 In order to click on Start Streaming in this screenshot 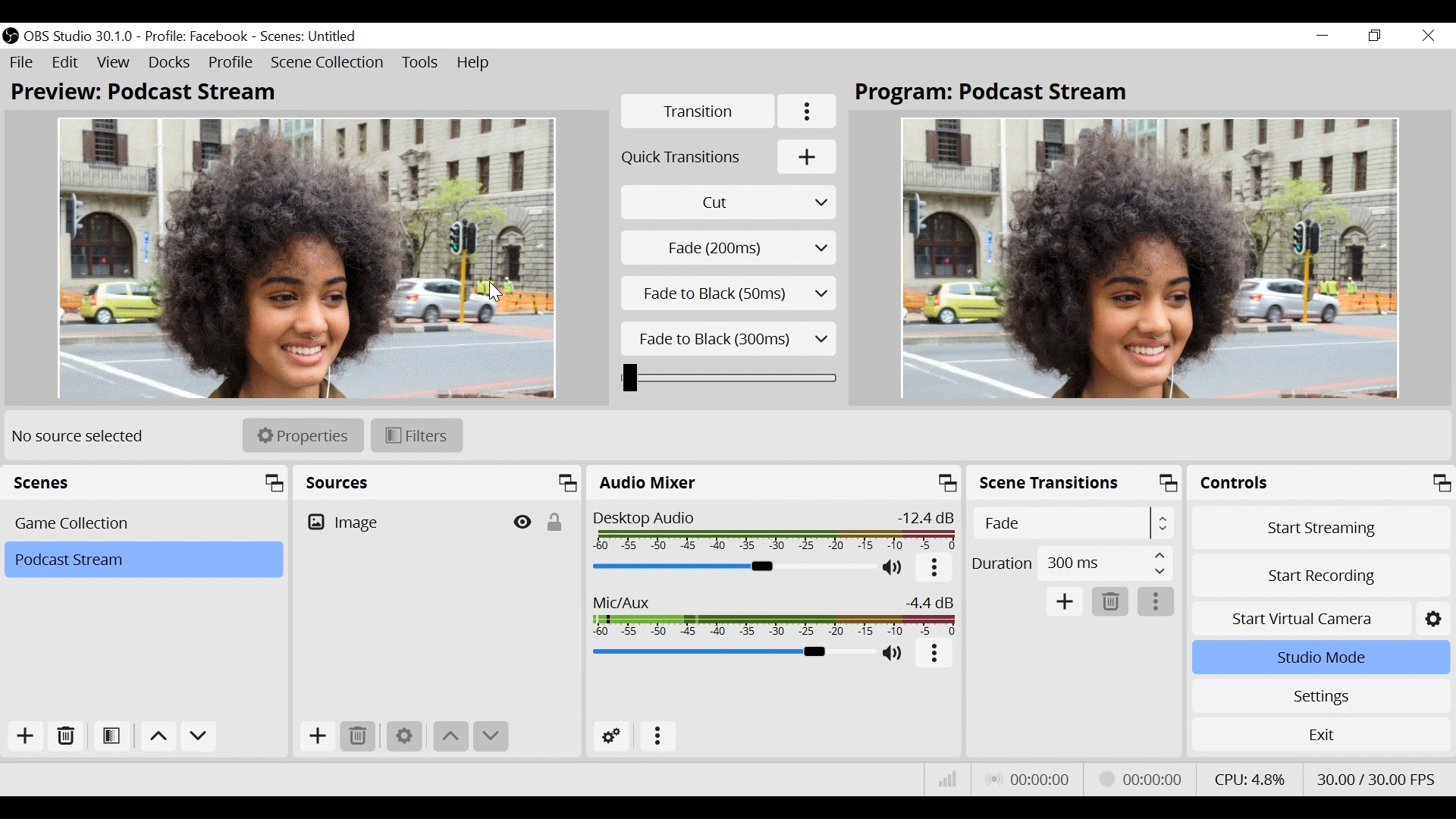, I will do `click(1321, 528)`.